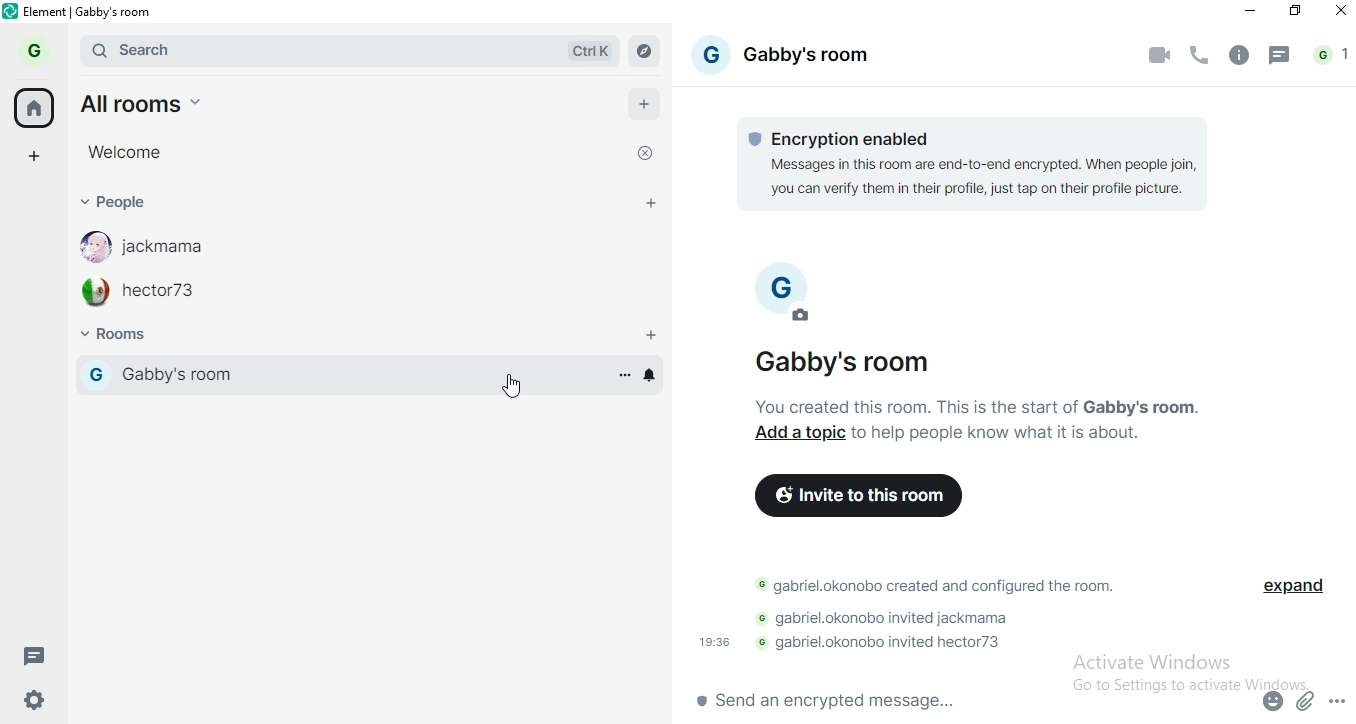 Image resolution: width=1356 pixels, height=724 pixels. What do you see at coordinates (133, 206) in the screenshot?
I see `people` at bounding box center [133, 206].